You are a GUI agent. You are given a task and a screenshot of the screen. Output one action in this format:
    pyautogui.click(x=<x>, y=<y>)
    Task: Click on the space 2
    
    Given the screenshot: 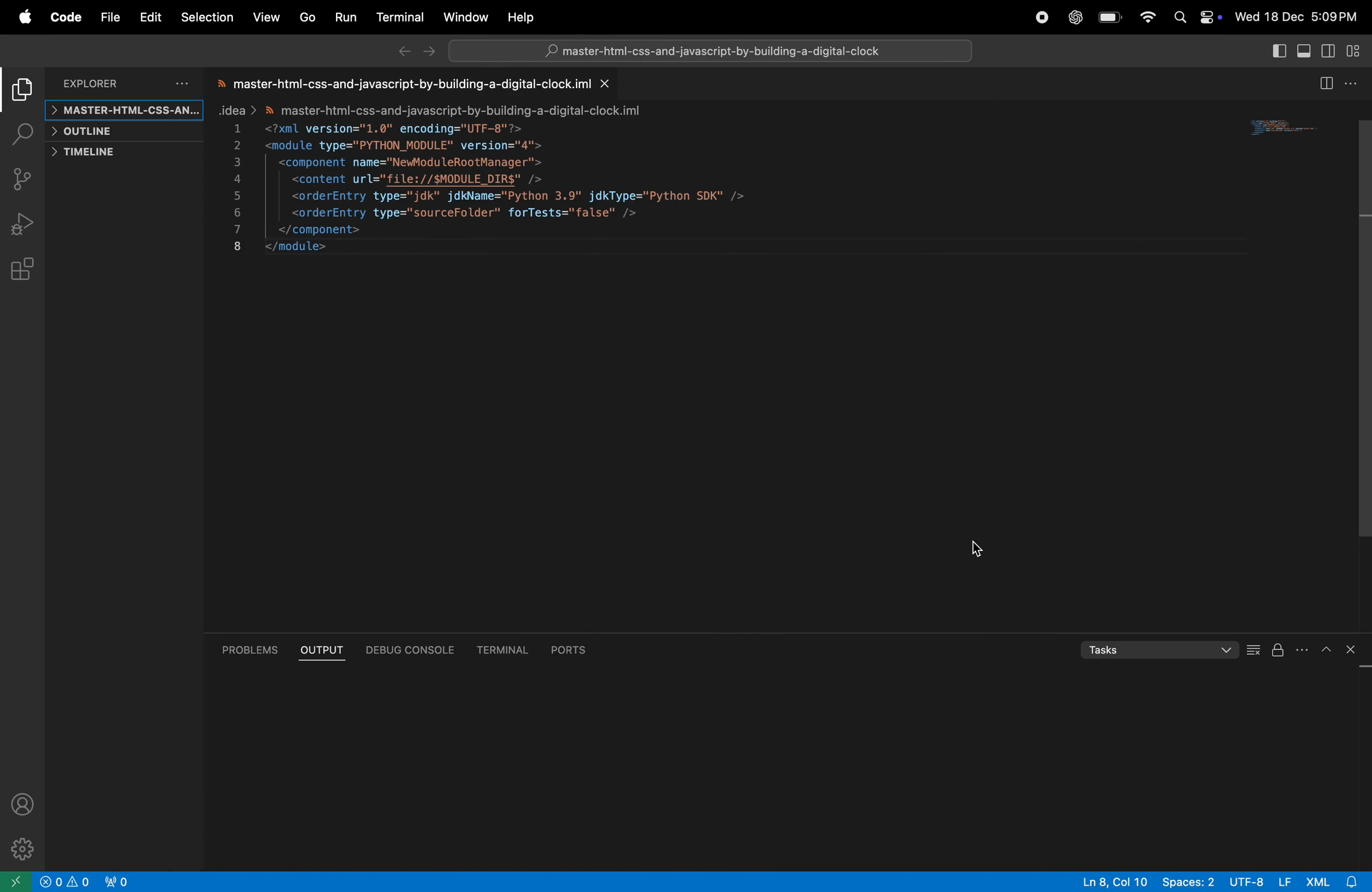 What is the action you would take?
    pyautogui.click(x=1185, y=881)
    